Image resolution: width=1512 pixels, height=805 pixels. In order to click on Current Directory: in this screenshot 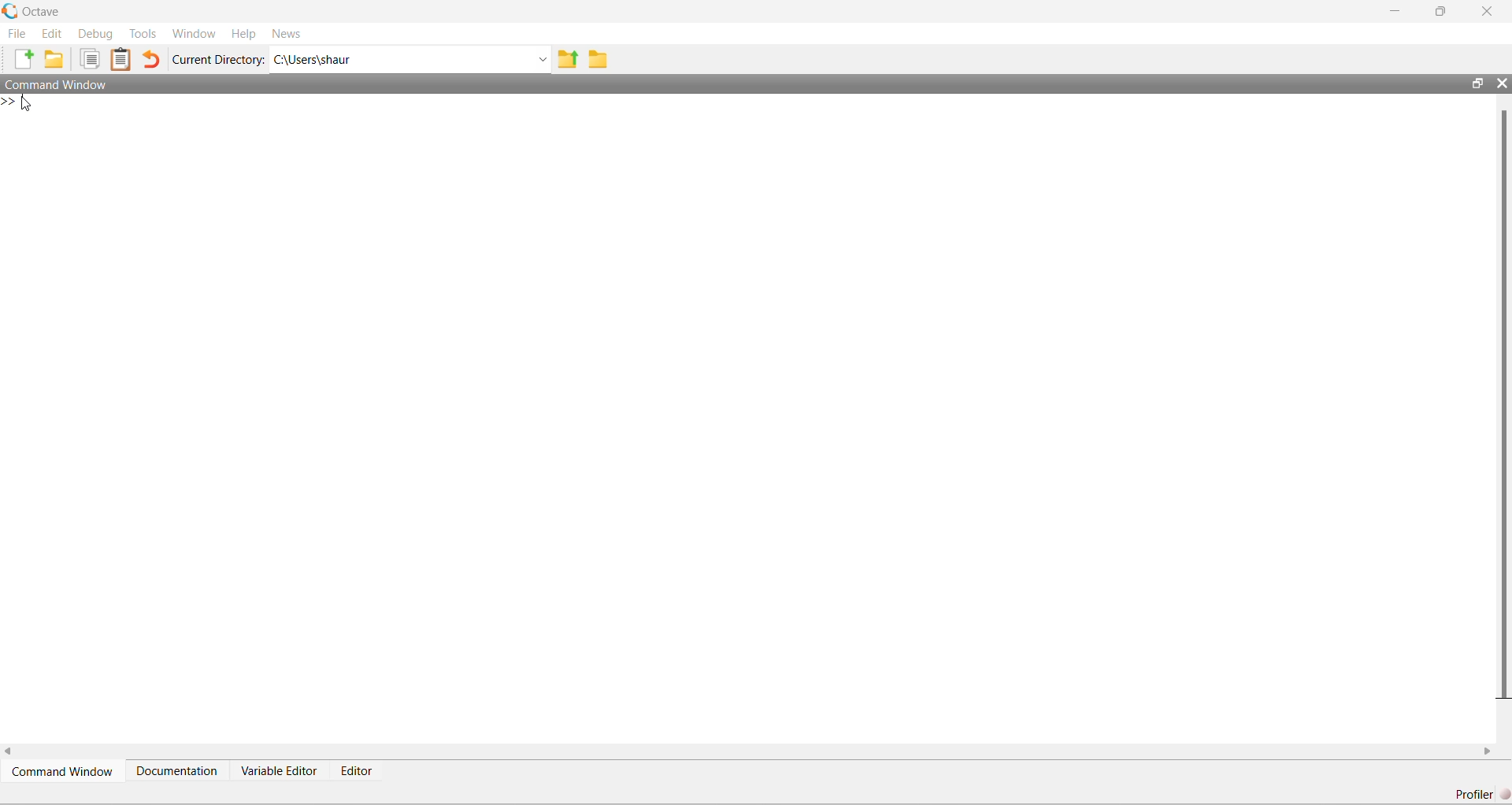, I will do `click(218, 60)`.